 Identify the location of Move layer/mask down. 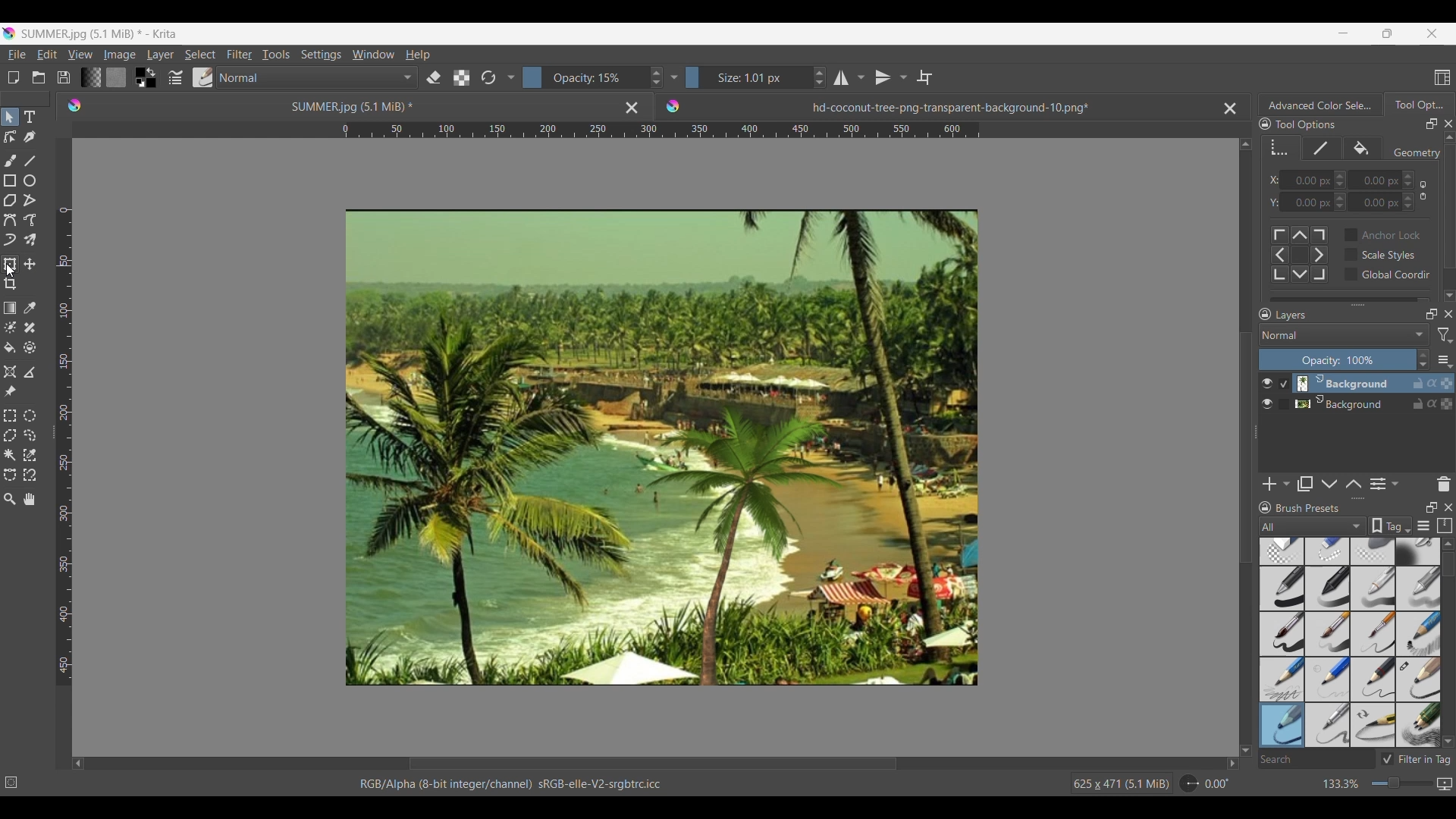
(1329, 485).